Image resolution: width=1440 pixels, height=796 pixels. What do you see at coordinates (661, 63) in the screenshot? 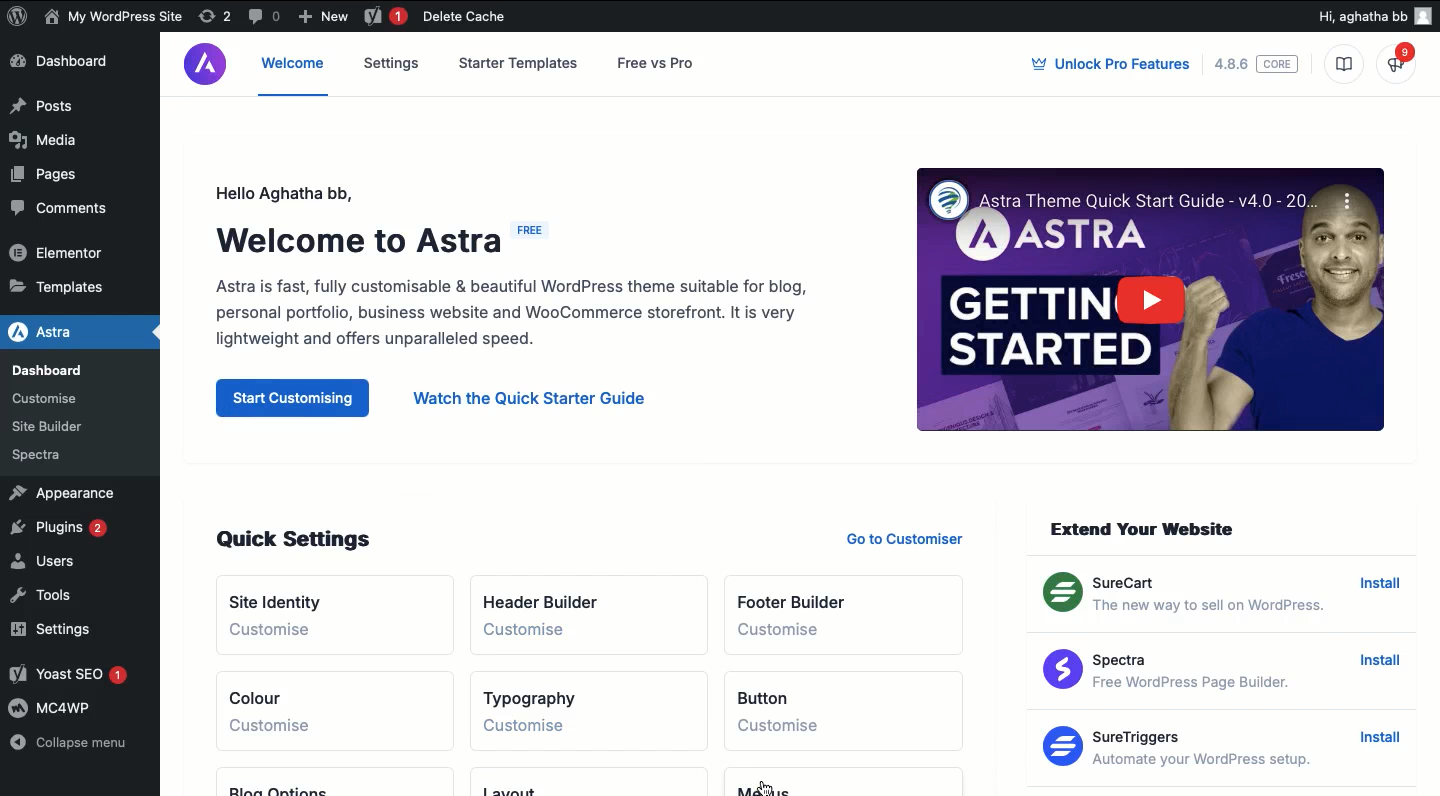
I see `Free vs Pro` at bounding box center [661, 63].